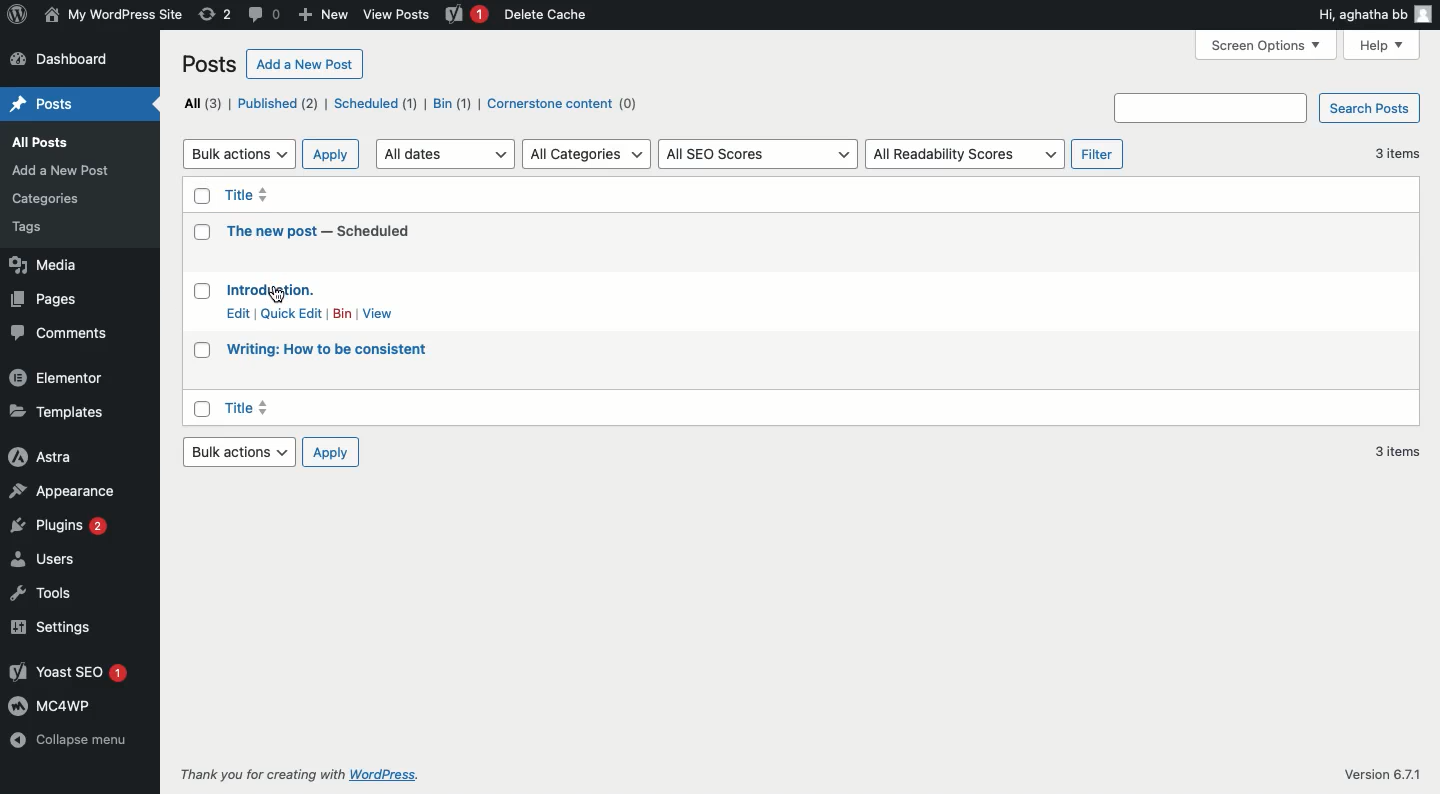 This screenshot has width=1440, height=794. What do you see at coordinates (469, 15) in the screenshot?
I see `Yoast` at bounding box center [469, 15].